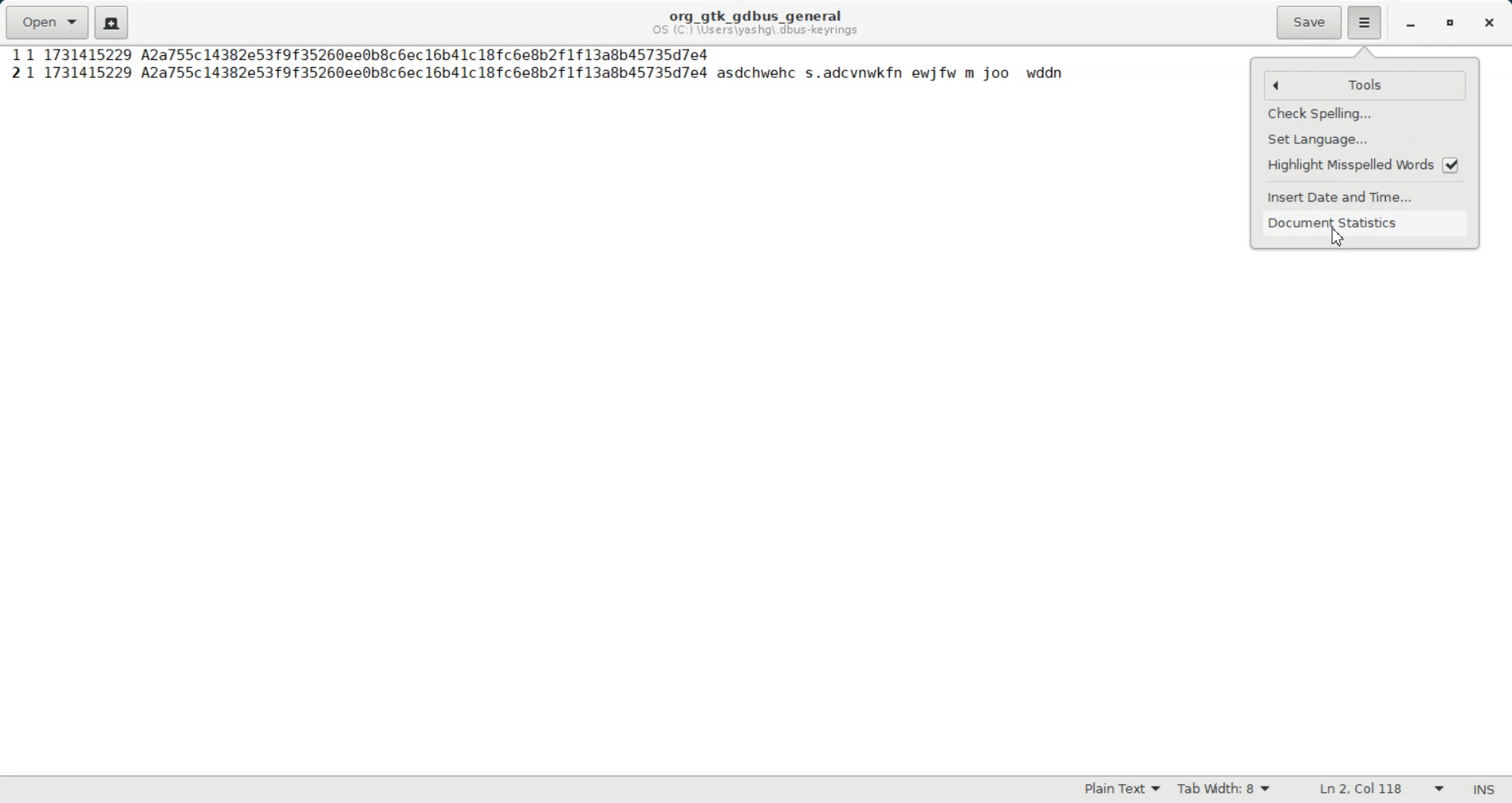 The width and height of the screenshot is (1512, 803). What do you see at coordinates (1367, 196) in the screenshot?
I see `Insert Date and Time` at bounding box center [1367, 196].